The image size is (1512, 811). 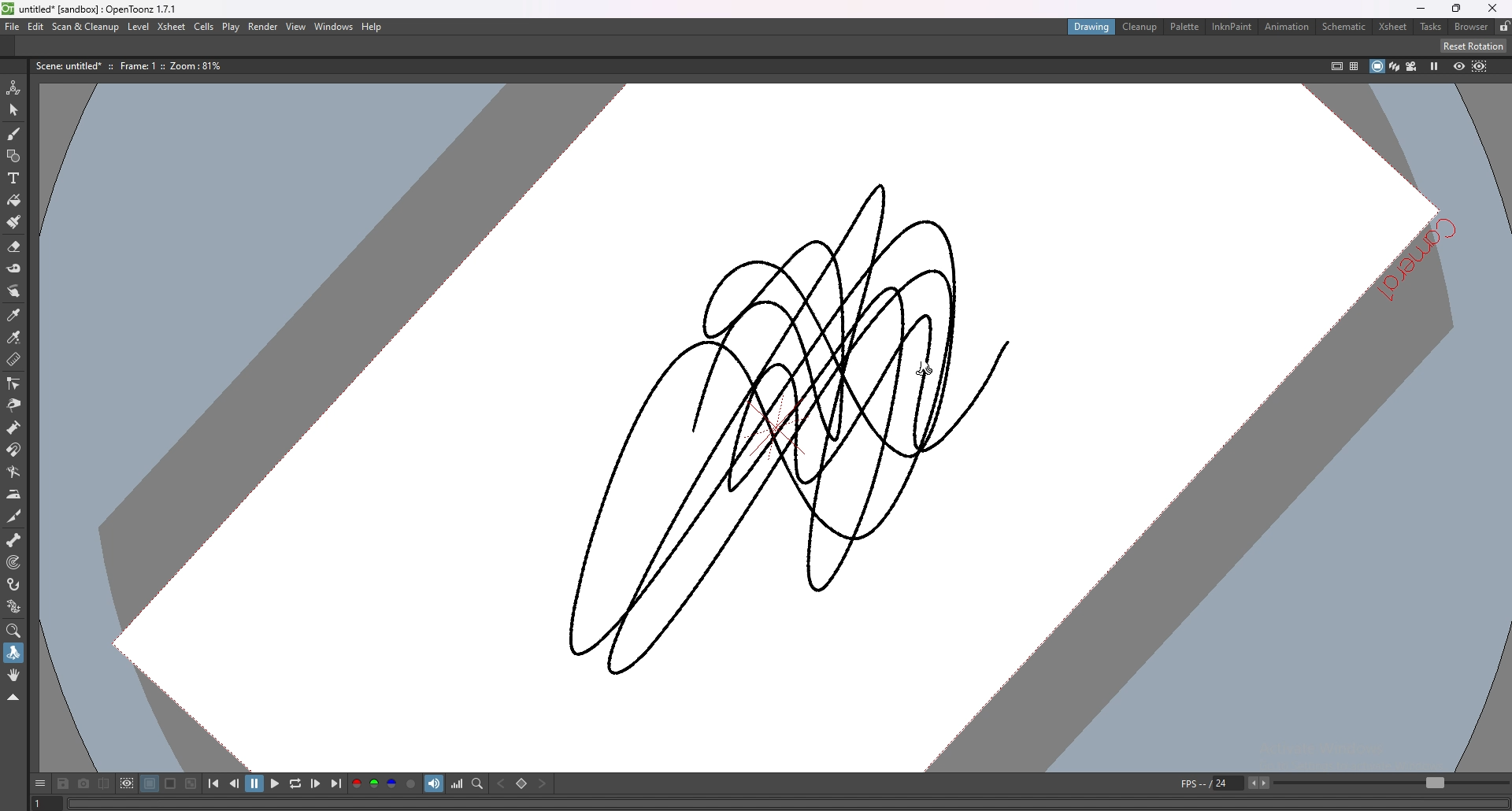 I want to click on previous key, so click(x=501, y=783).